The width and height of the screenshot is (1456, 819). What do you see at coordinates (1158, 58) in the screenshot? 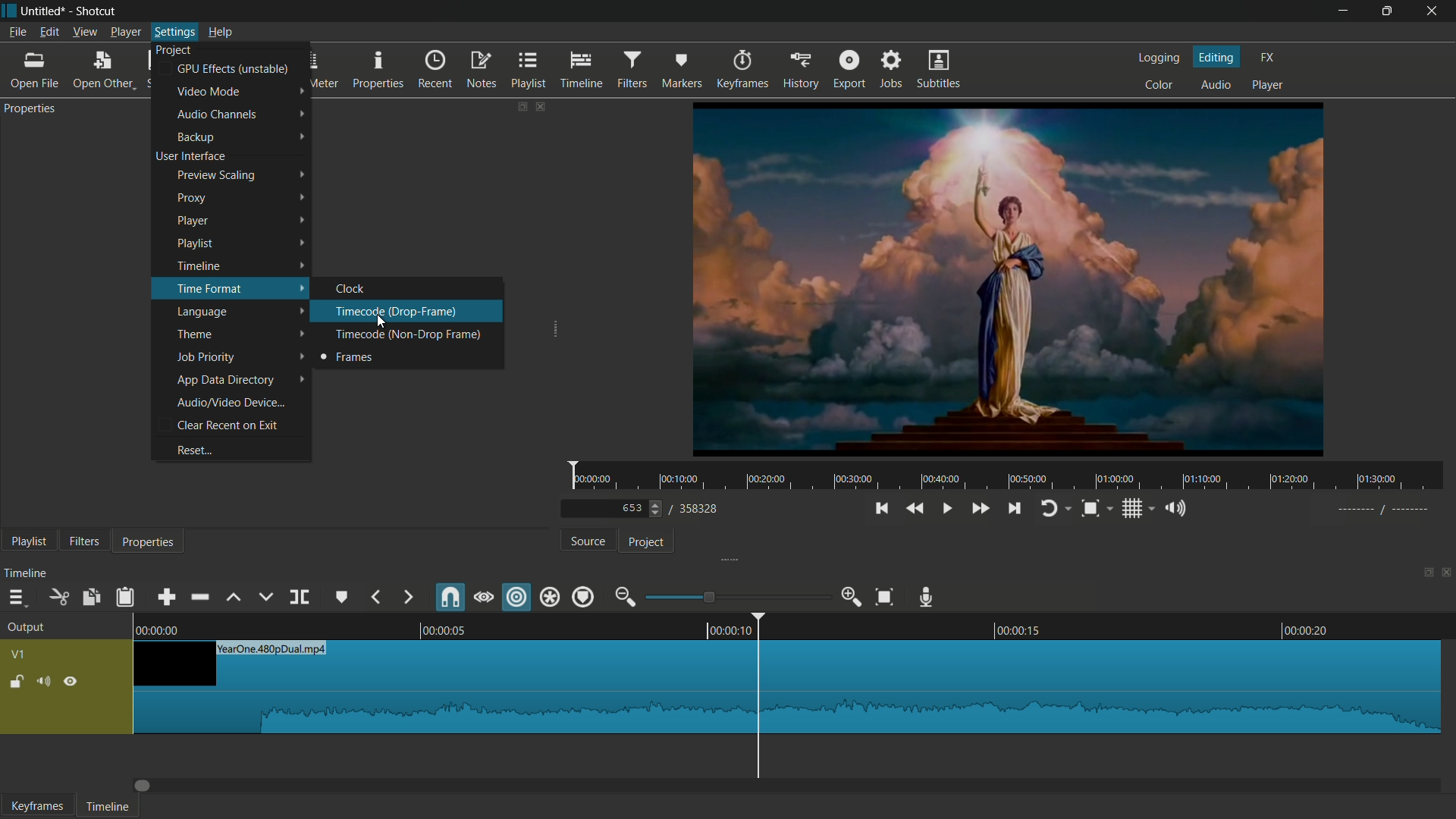
I see `logging` at bounding box center [1158, 58].